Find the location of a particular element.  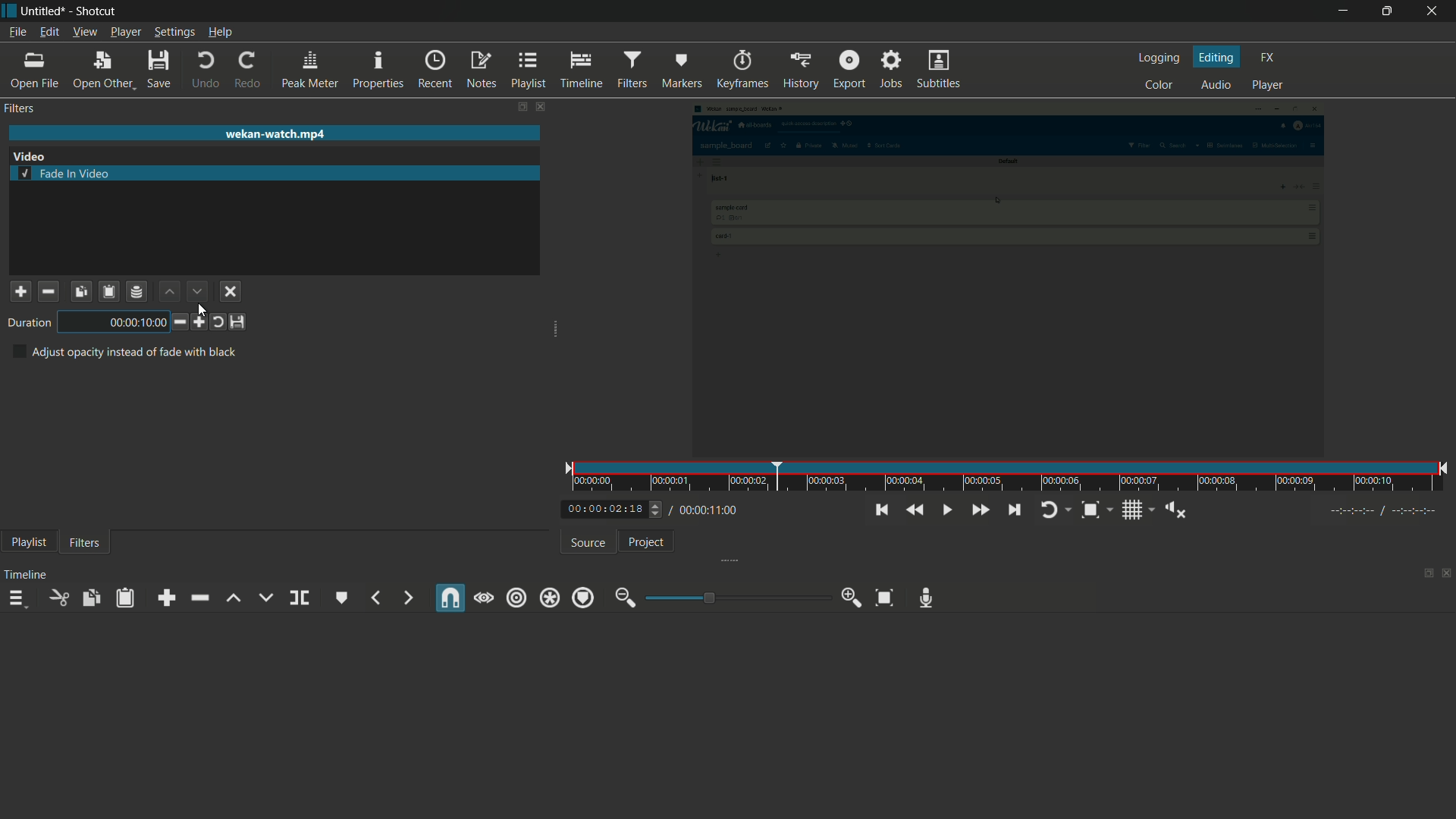

lift is located at coordinates (234, 598).